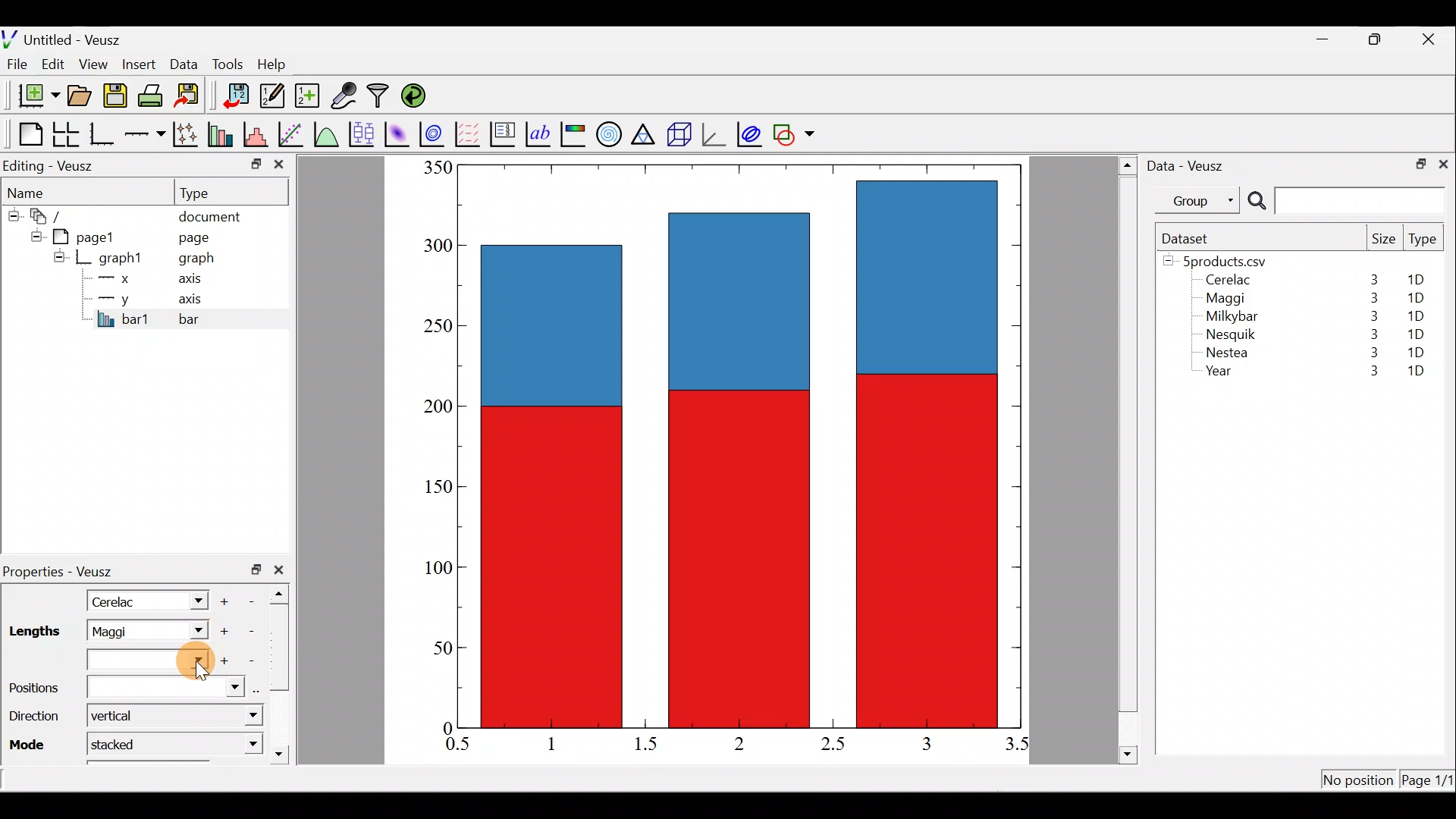 The image size is (1456, 819). I want to click on Cursor, so click(187, 659).